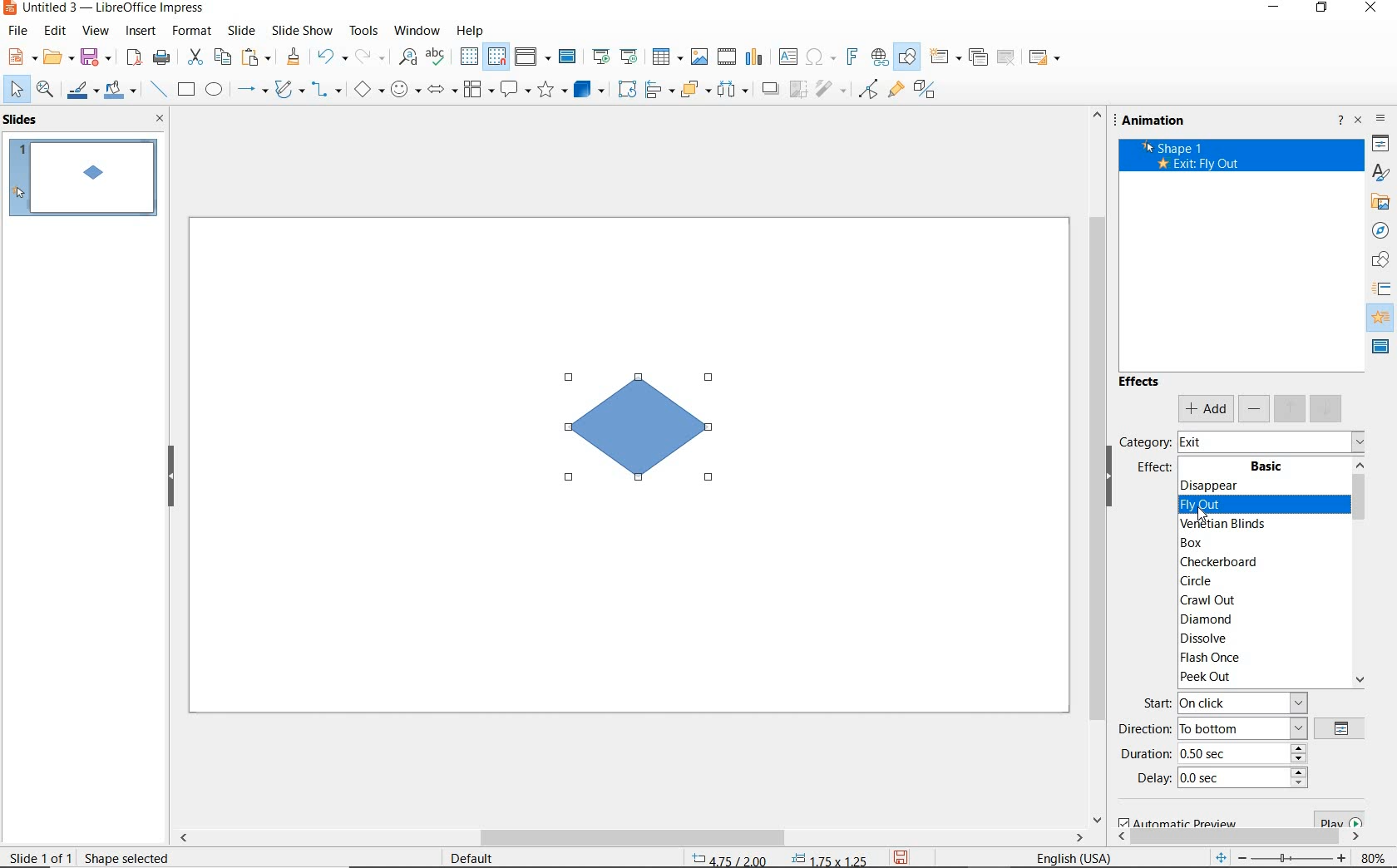  I want to click on peek out, so click(1260, 678).